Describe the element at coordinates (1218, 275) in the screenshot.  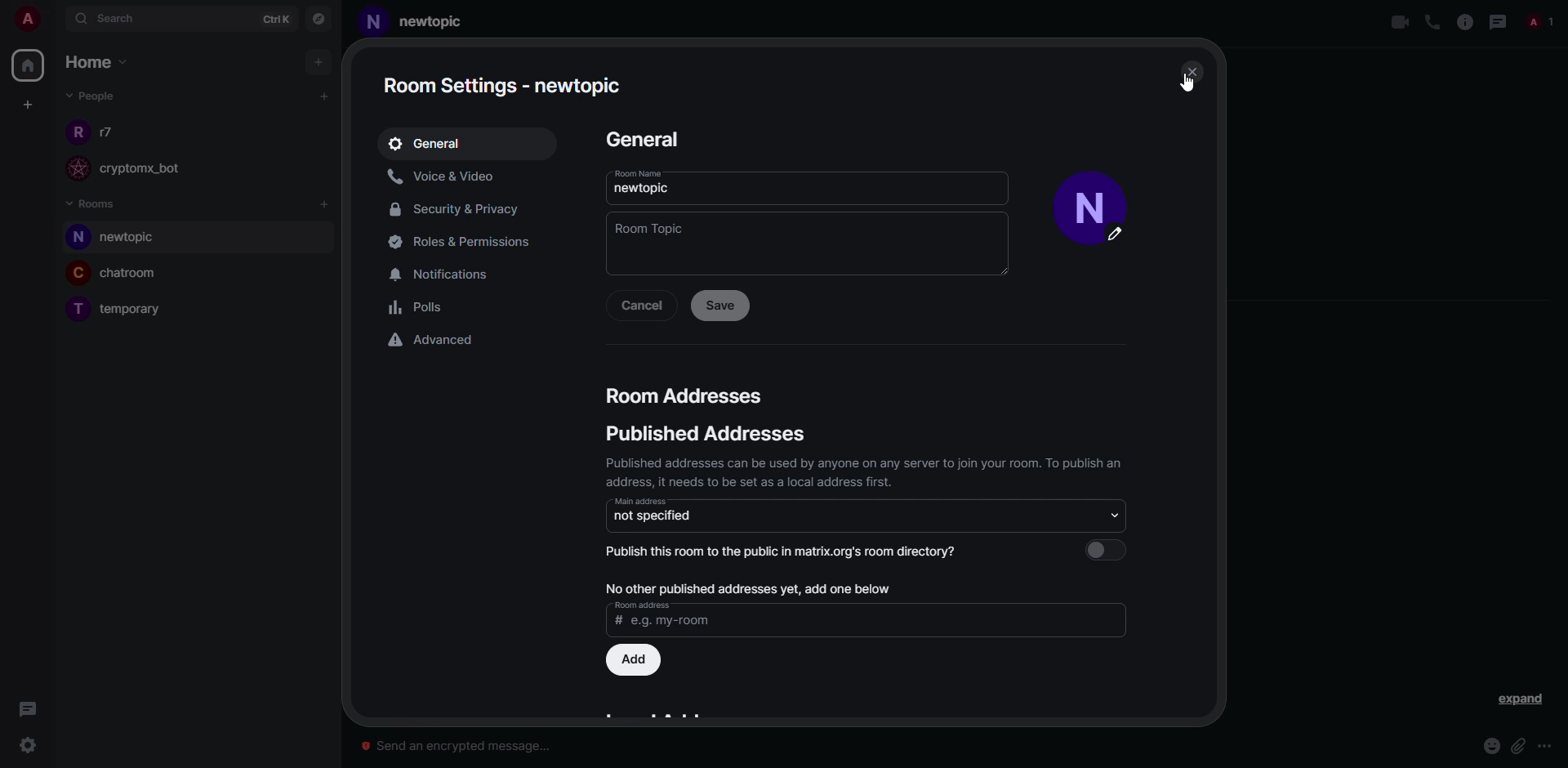
I see `scroll bar` at that location.